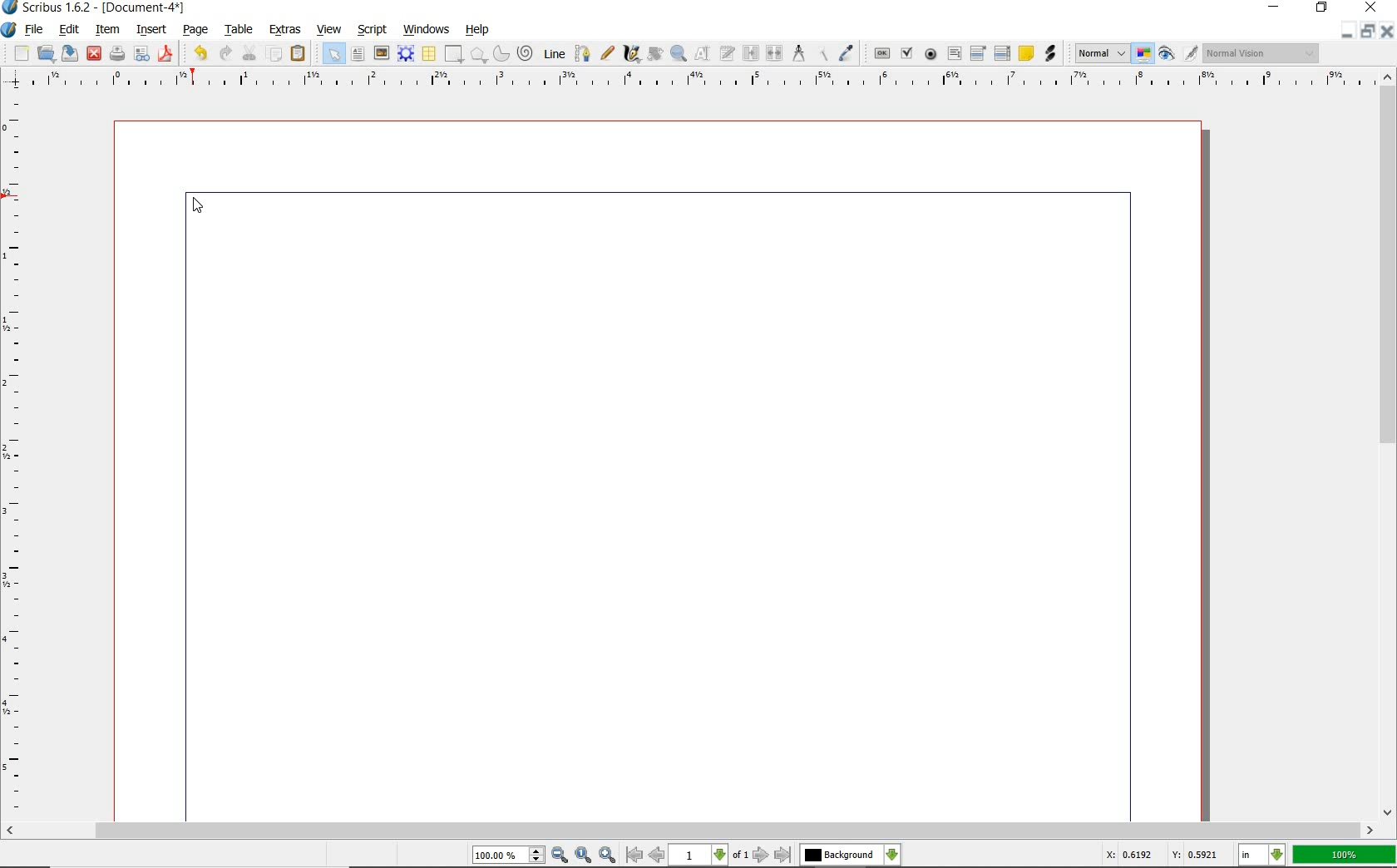  I want to click on 1, so click(699, 856).